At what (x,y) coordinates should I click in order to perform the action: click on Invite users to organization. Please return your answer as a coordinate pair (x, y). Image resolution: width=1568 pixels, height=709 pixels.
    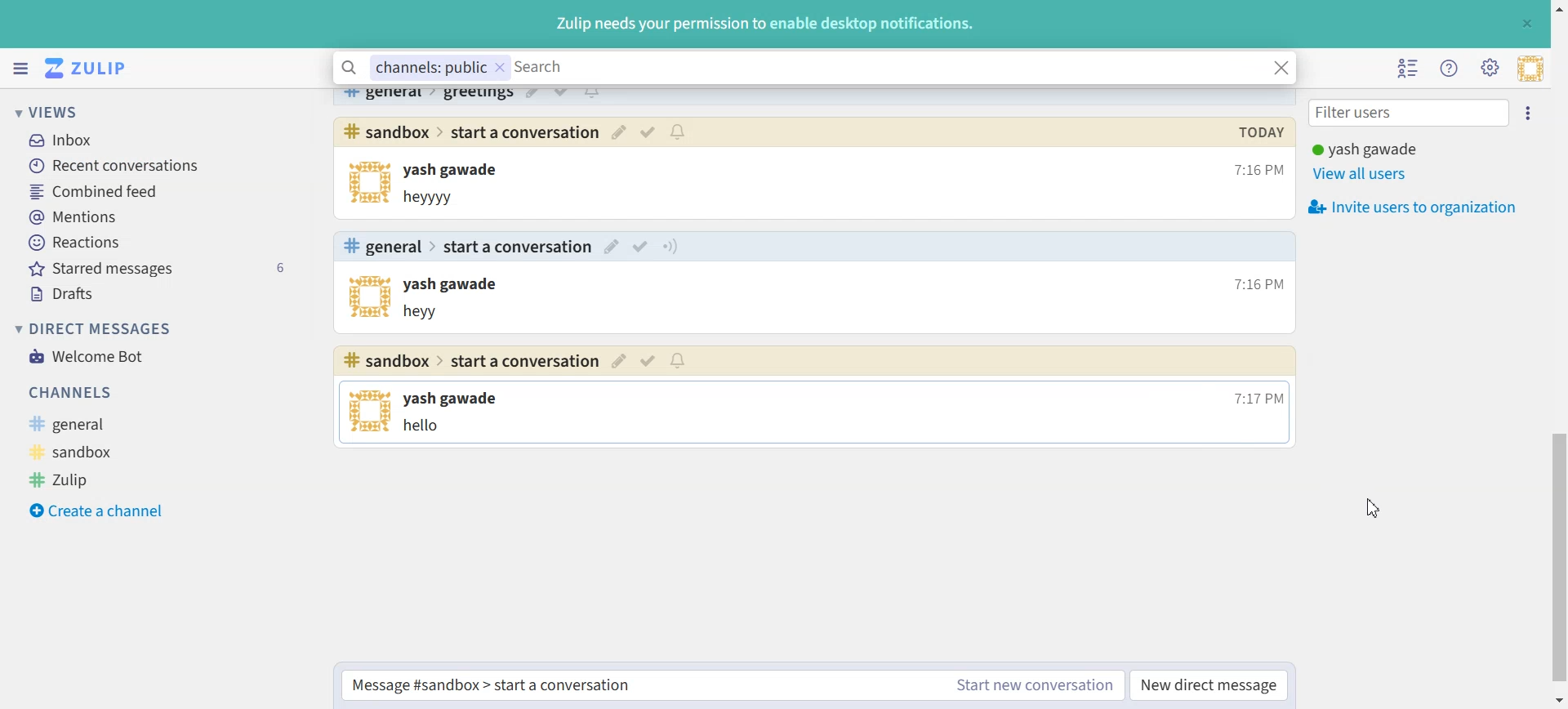
    Looking at the image, I should click on (1417, 207).